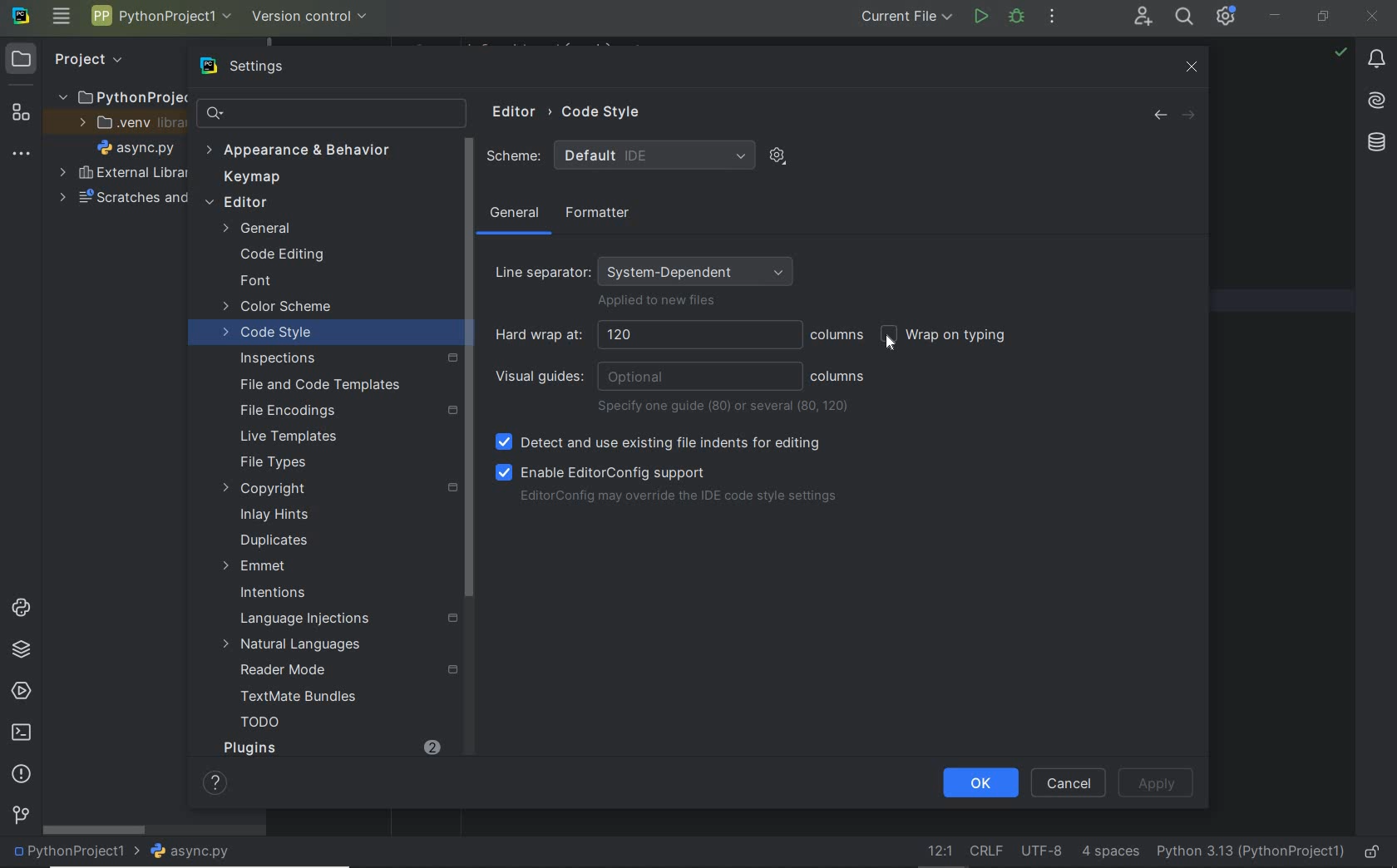  What do you see at coordinates (196, 851) in the screenshot?
I see `file name` at bounding box center [196, 851].